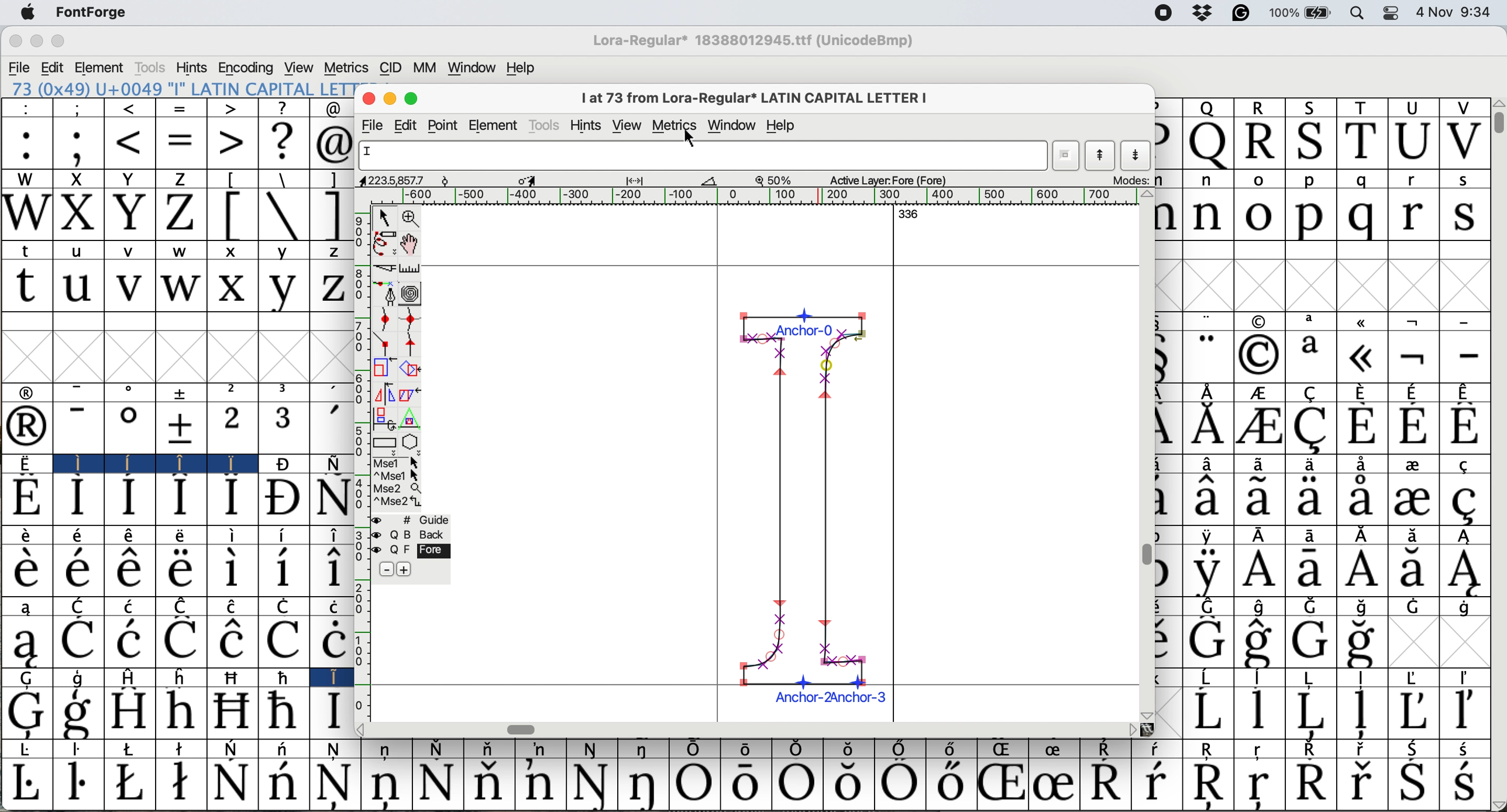 This screenshot has height=812, width=1507. What do you see at coordinates (630, 123) in the screenshot?
I see `view` at bounding box center [630, 123].